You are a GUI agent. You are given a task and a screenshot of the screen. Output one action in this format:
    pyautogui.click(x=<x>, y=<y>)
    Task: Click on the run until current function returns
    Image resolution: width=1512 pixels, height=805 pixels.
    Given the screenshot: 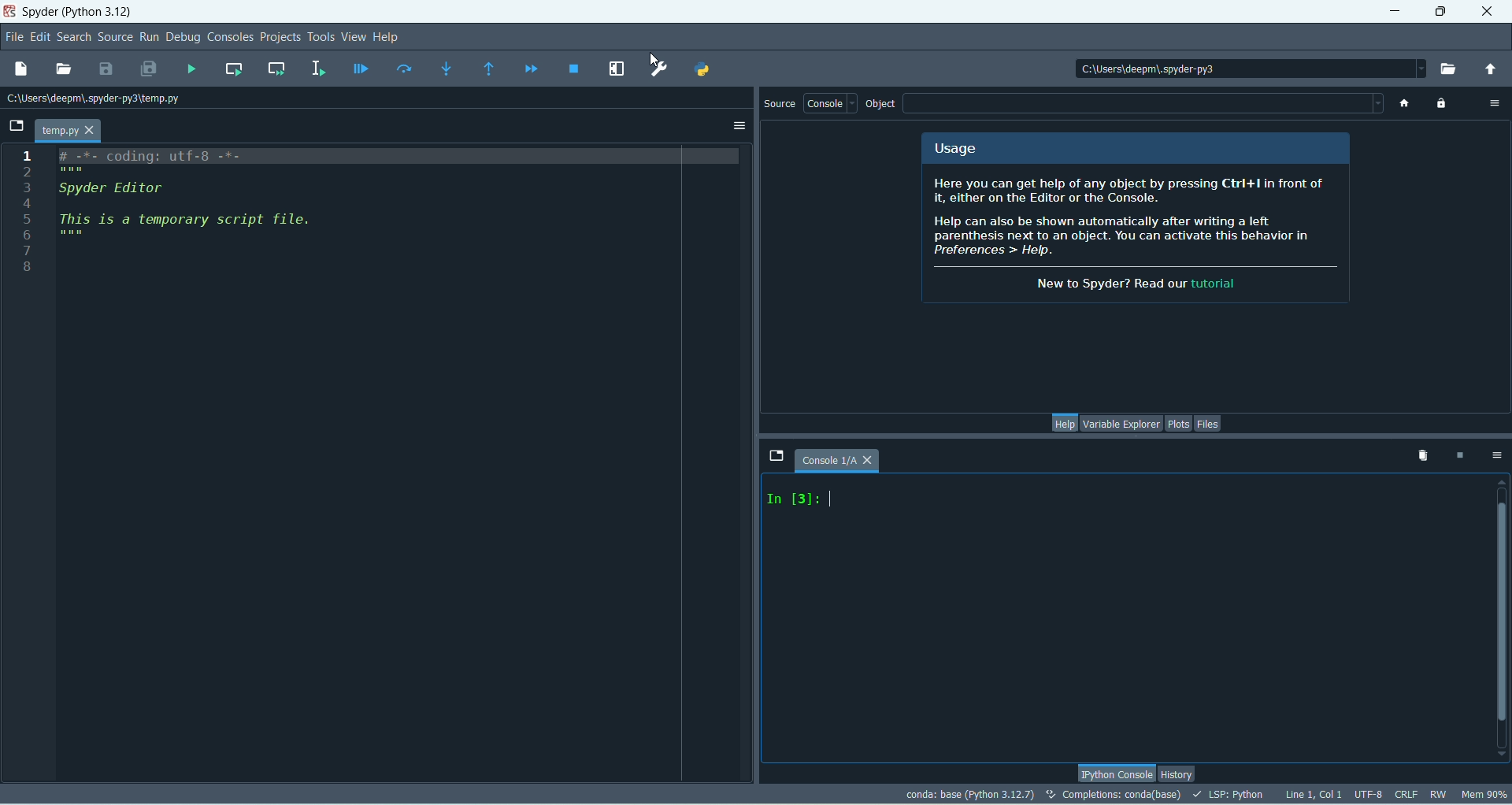 What is the action you would take?
    pyautogui.click(x=489, y=69)
    